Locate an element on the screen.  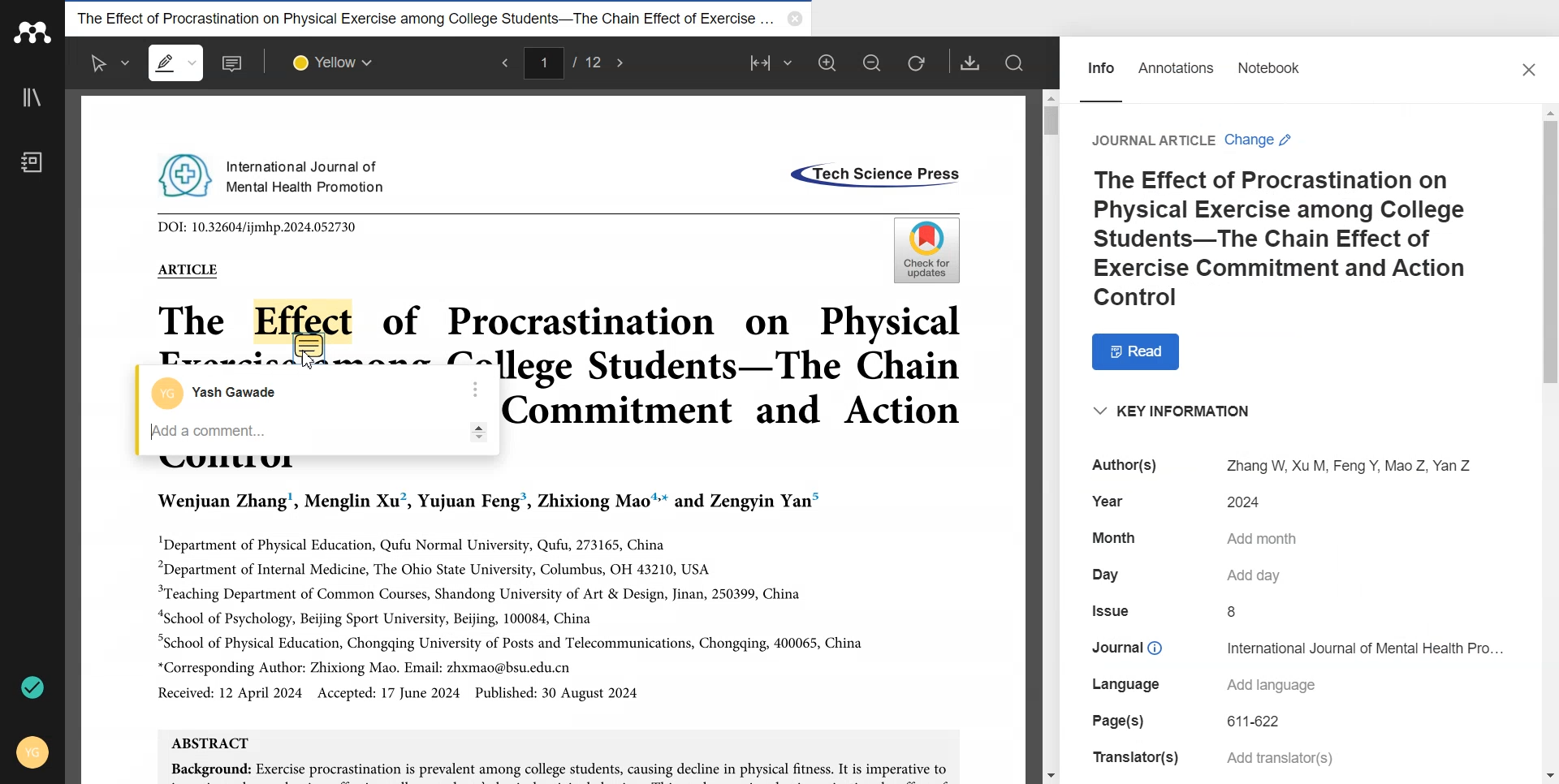
Language Add language is located at coordinates (1203, 686).